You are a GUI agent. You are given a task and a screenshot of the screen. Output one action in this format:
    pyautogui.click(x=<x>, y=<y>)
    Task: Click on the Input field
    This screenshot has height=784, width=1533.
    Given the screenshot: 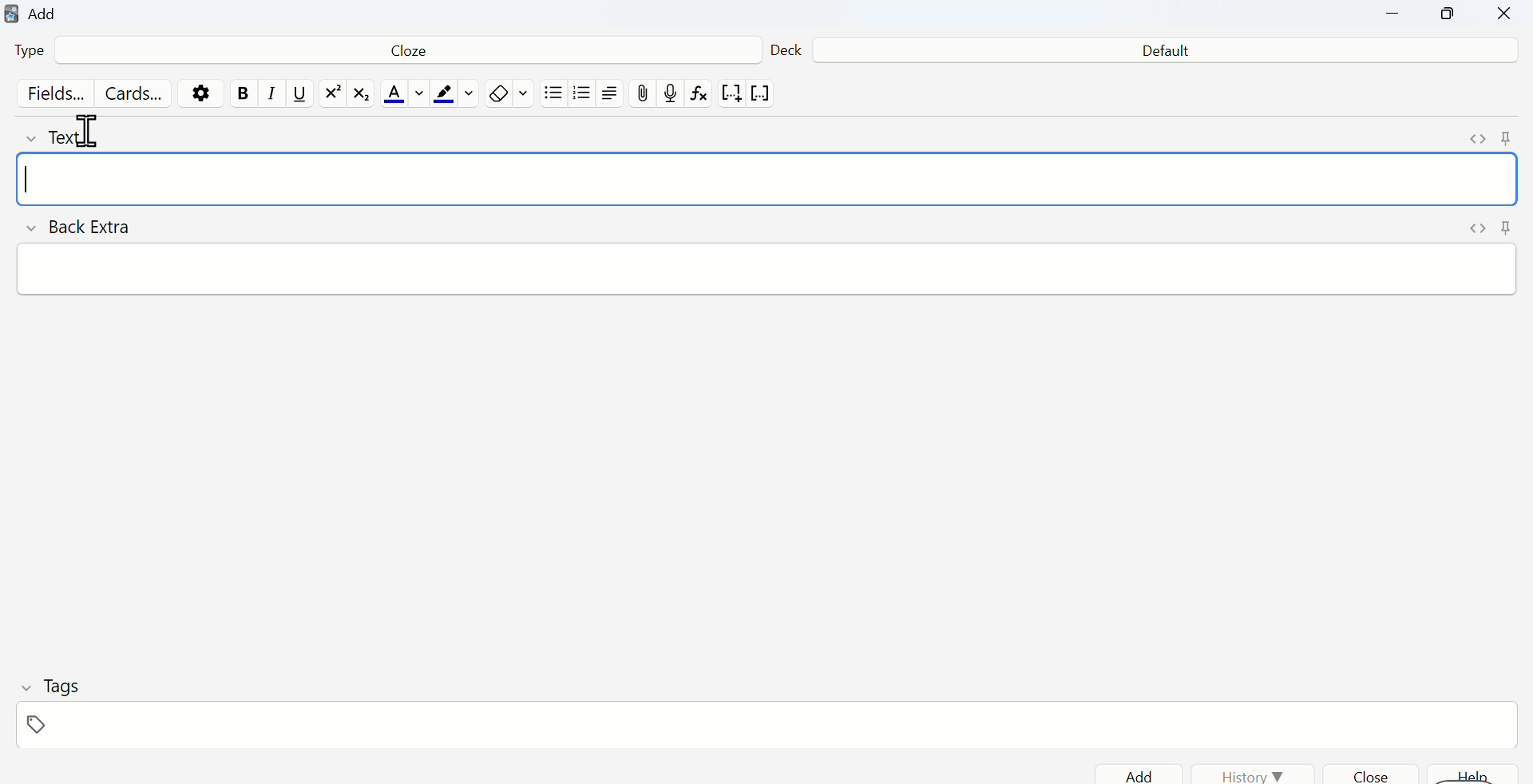 What is the action you would take?
    pyautogui.click(x=777, y=270)
    